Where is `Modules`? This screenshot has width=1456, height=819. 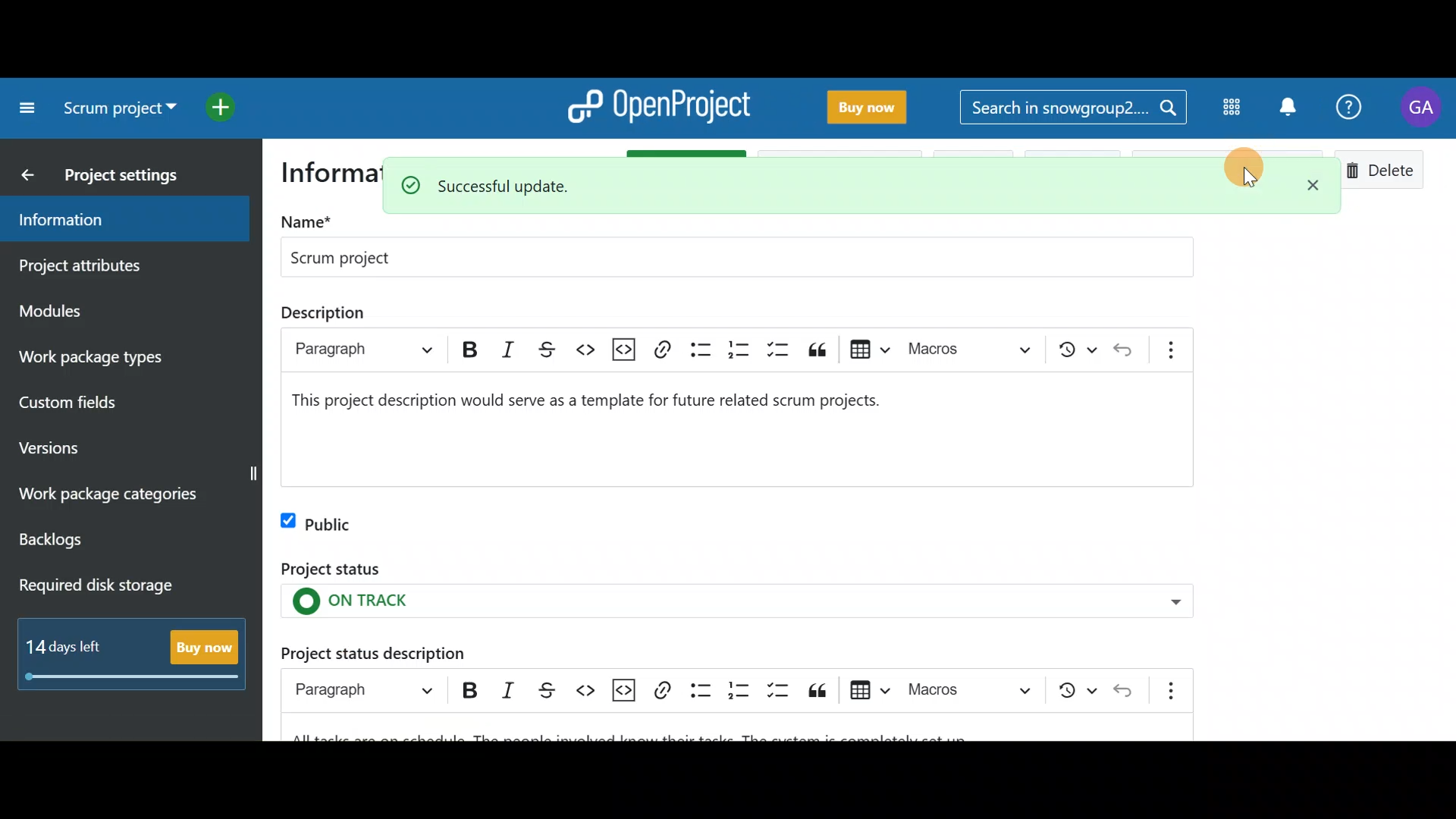 Modules is located at coordinates (1228, 111).